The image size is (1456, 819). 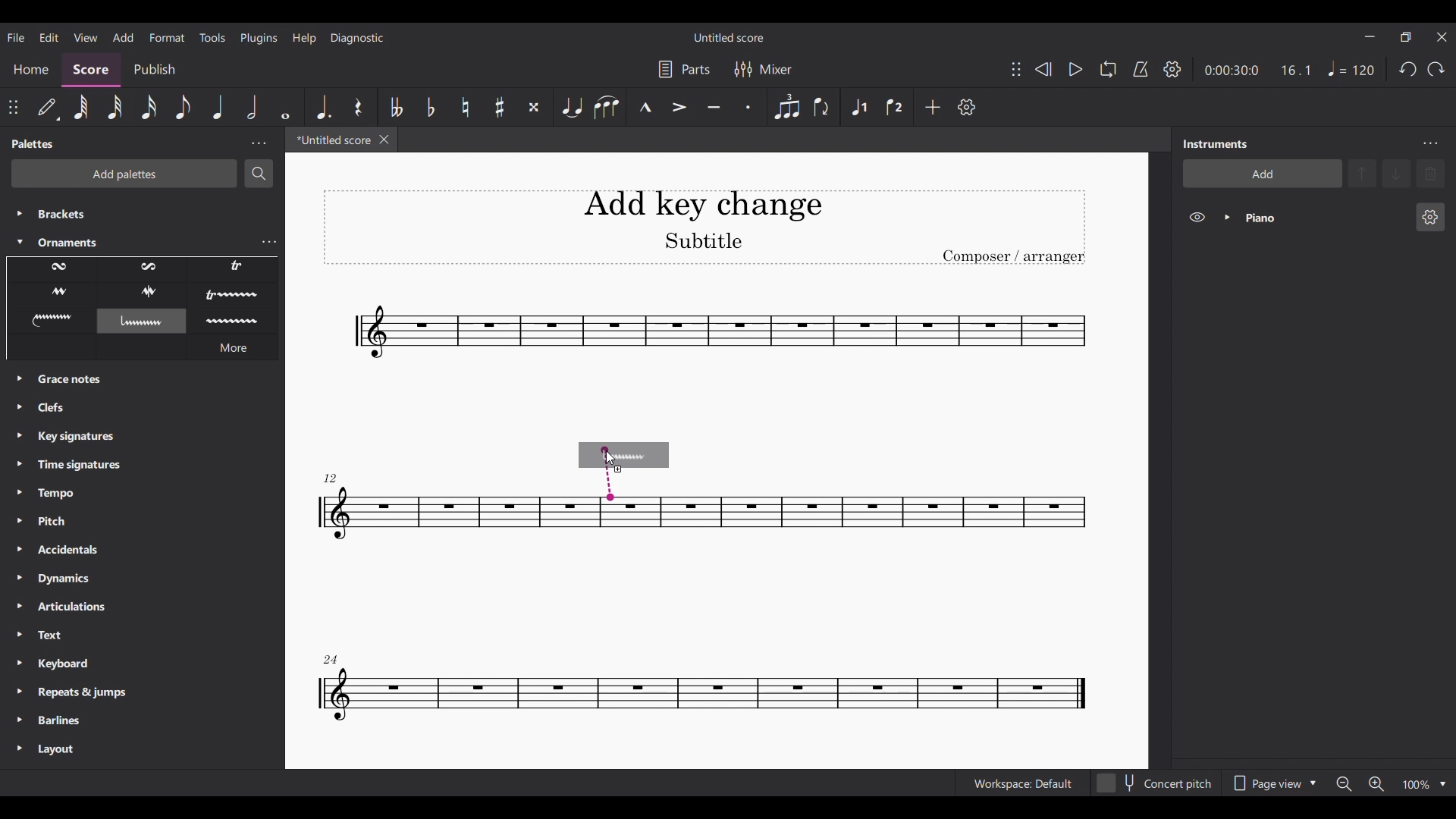 I want to click on Expand piano, so click(x=1227, y=217).